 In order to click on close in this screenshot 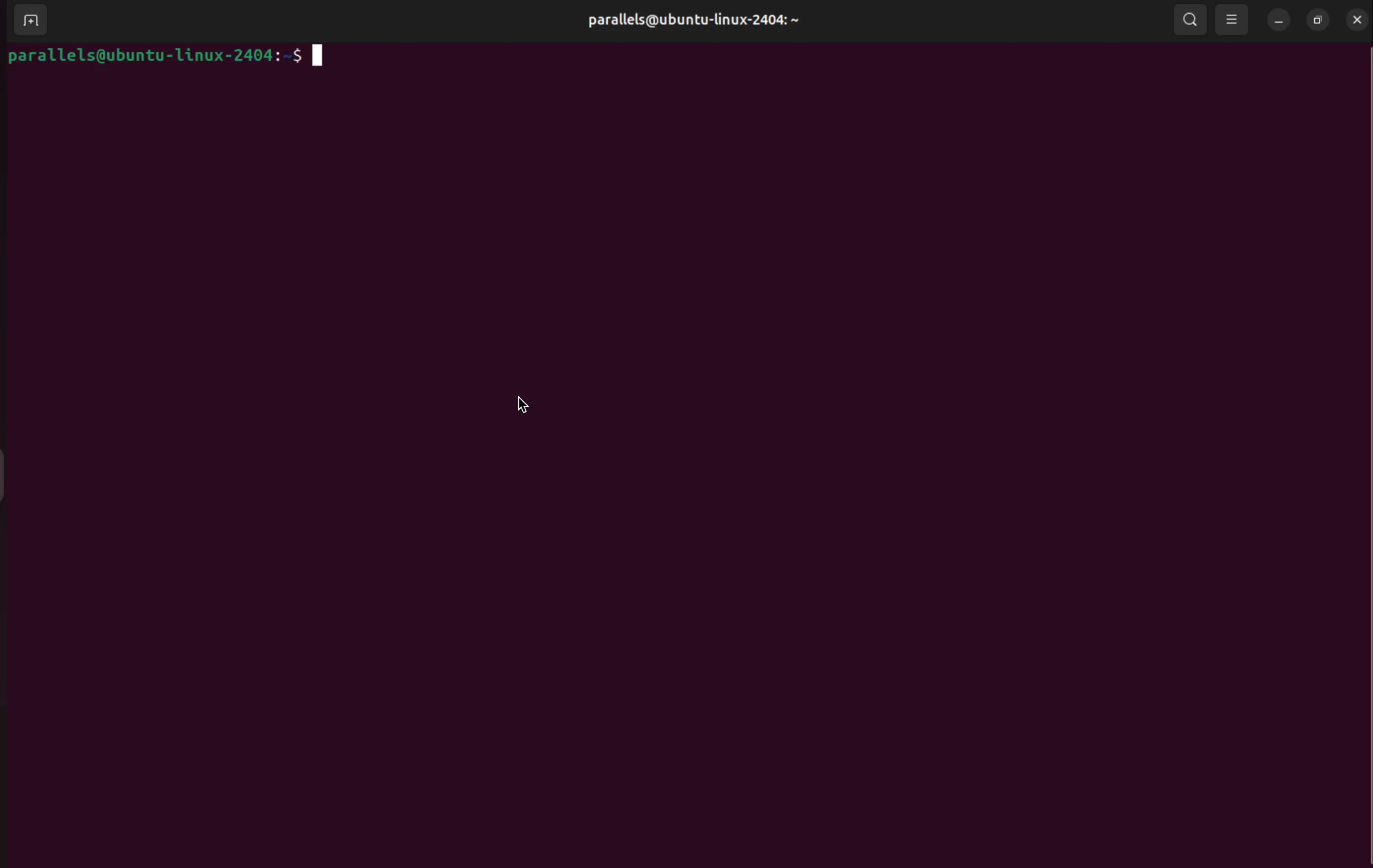, I will do `click(1359, 20)`.